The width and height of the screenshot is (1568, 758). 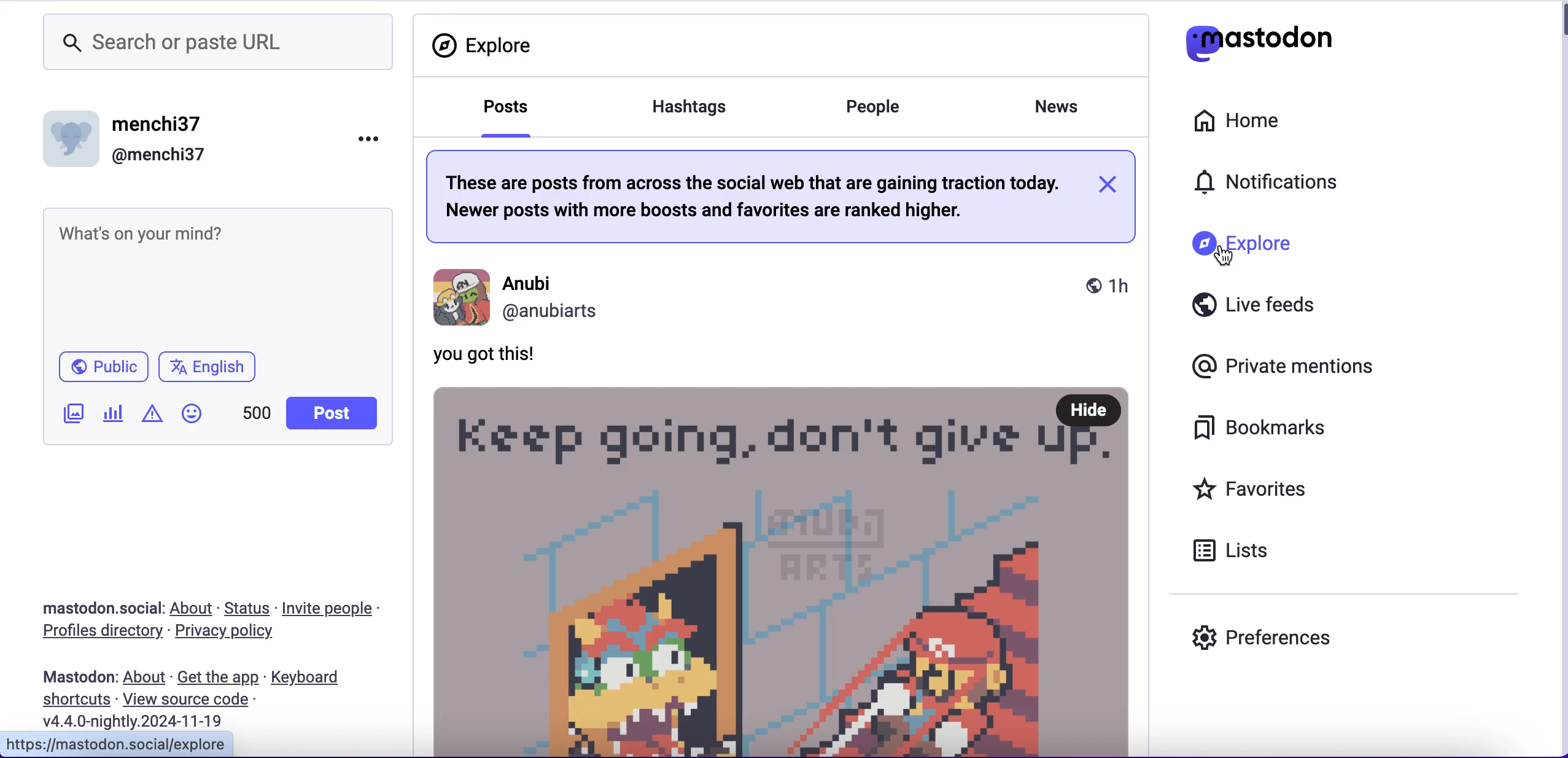 I want to click on profiles directory, so click(x=100, y=633).